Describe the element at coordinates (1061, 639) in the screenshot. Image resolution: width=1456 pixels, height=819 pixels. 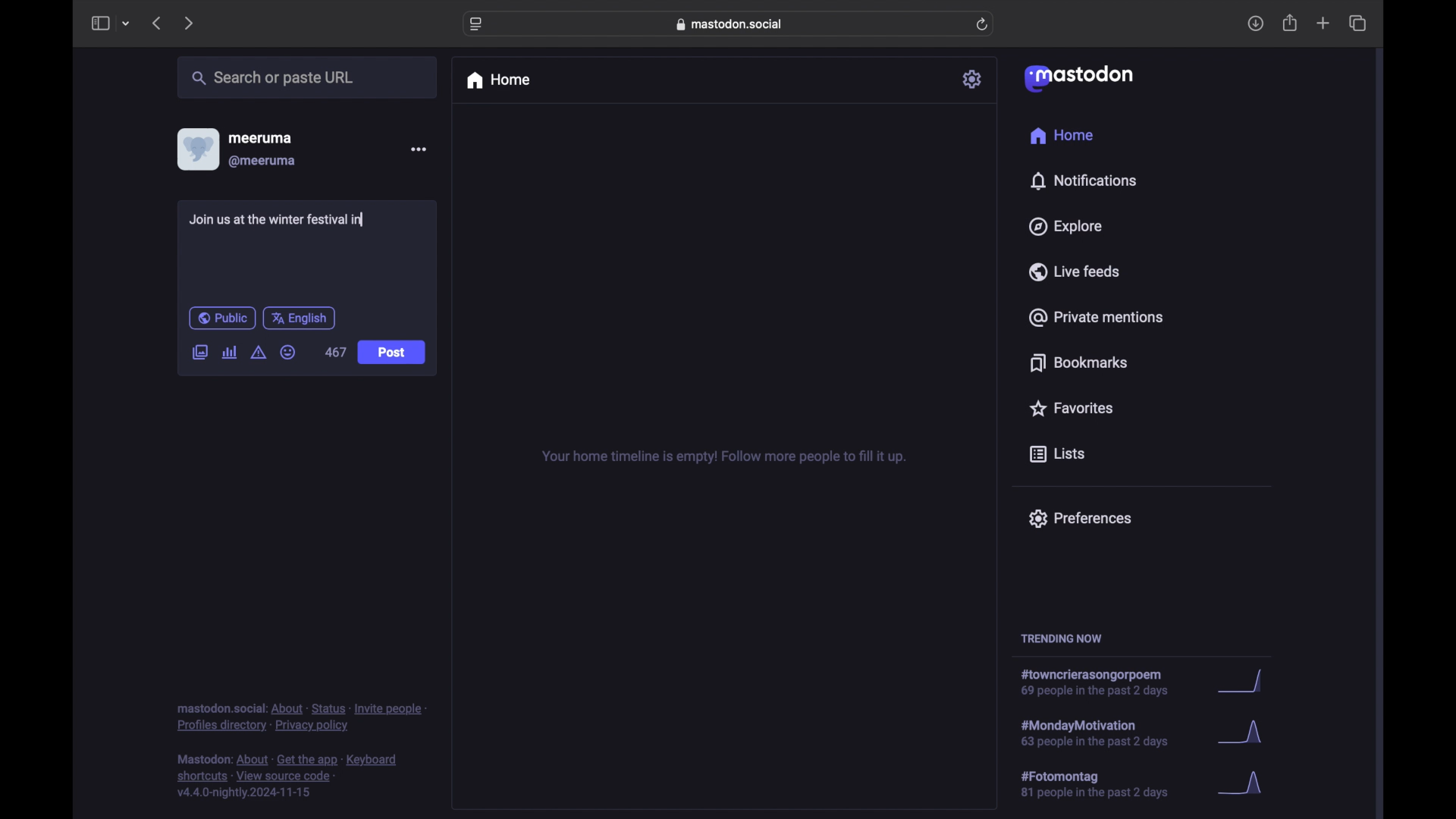
I see `trending now` at that location.